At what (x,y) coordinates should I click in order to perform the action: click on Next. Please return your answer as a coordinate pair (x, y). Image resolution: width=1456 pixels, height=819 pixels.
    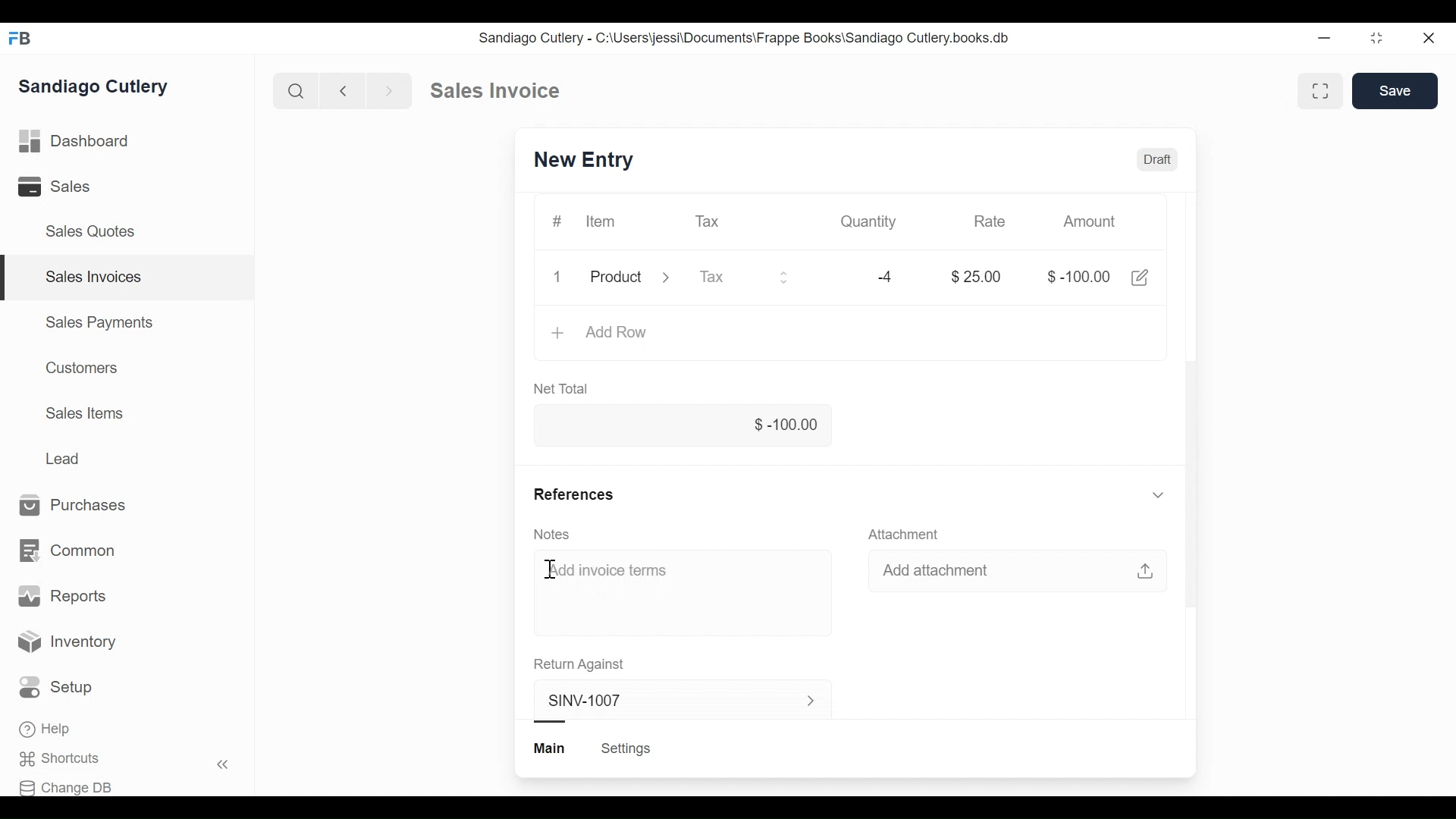
    Looking at the image, I should click on (391, 90).